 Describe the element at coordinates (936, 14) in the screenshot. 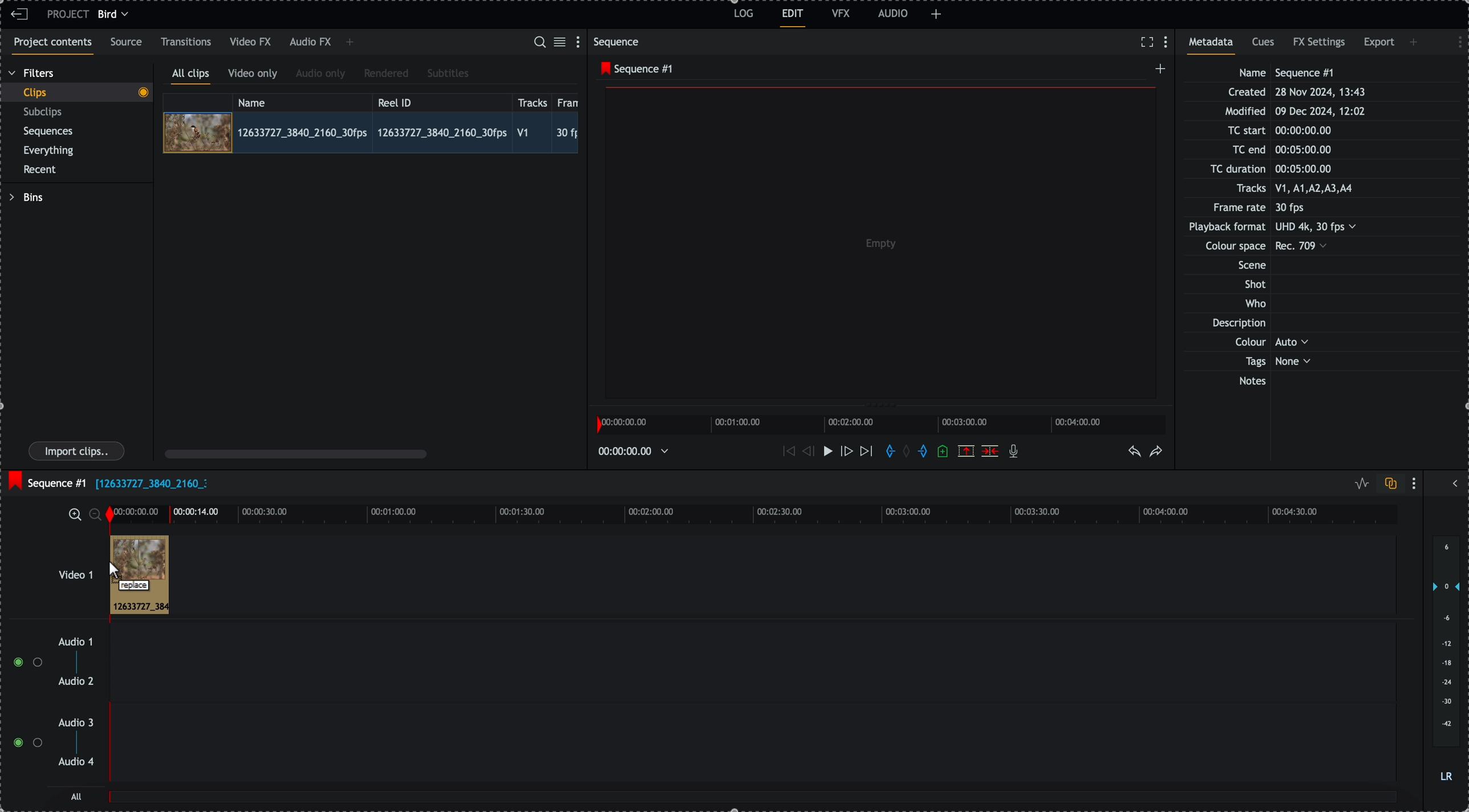

I see `add panel` at that location.